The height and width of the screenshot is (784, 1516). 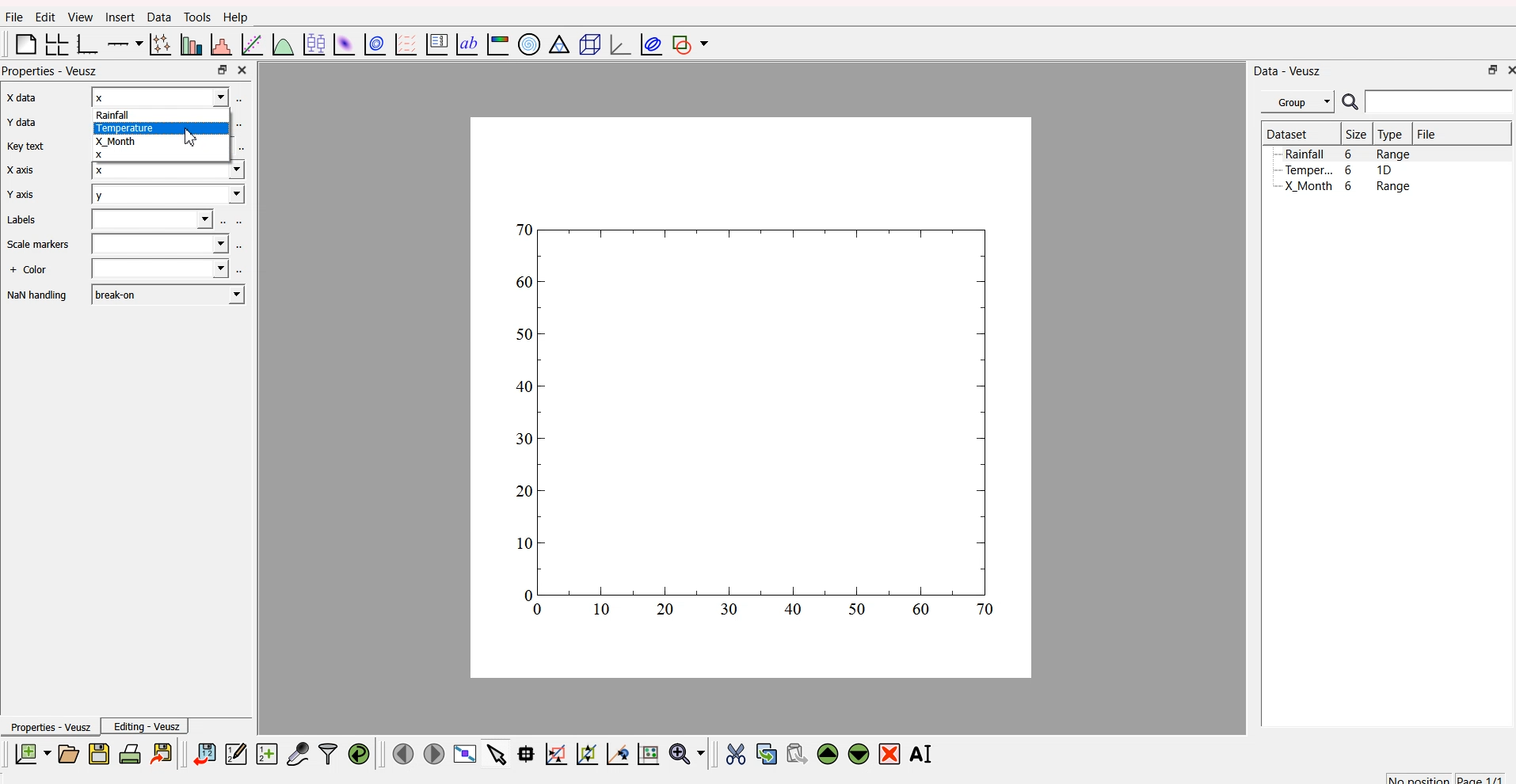 I want to click on filter data, so click(x=328, y=752).